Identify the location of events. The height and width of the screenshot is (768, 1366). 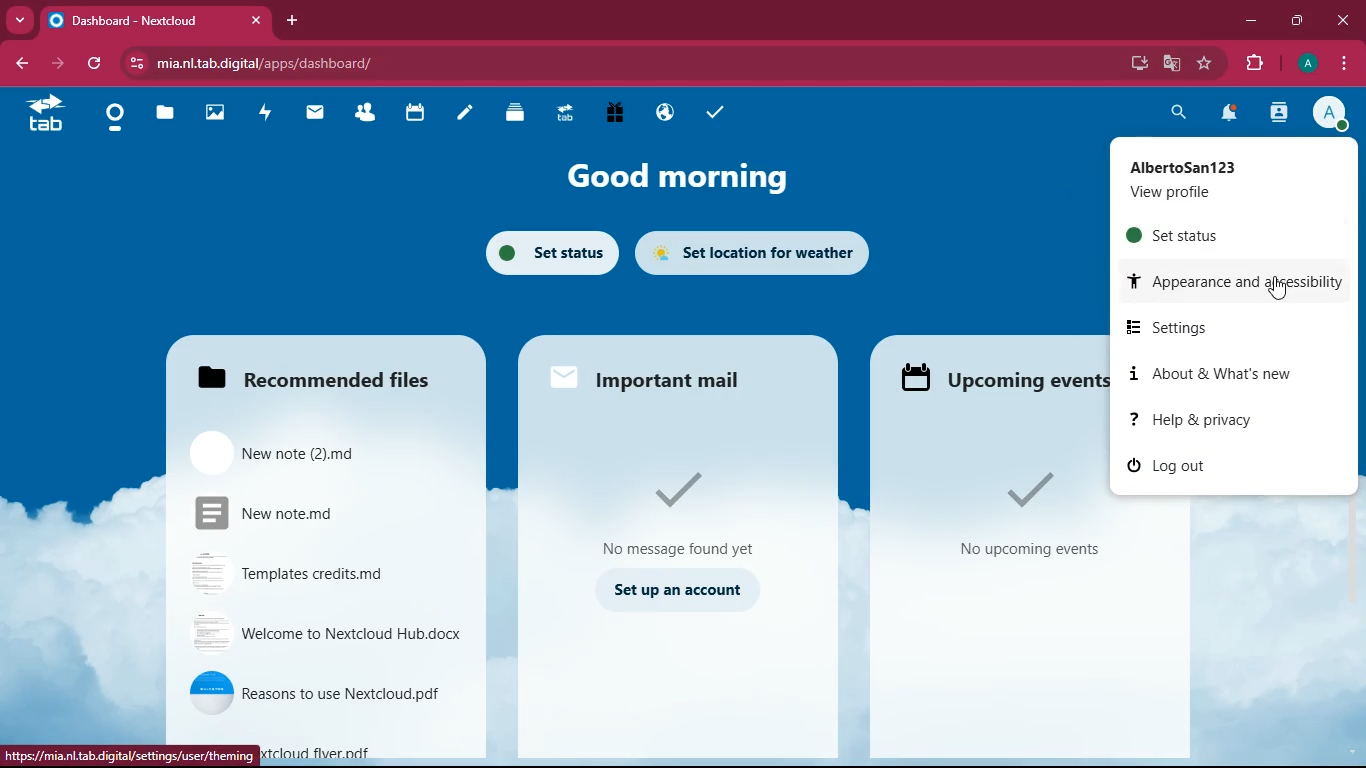
(1001, 381).